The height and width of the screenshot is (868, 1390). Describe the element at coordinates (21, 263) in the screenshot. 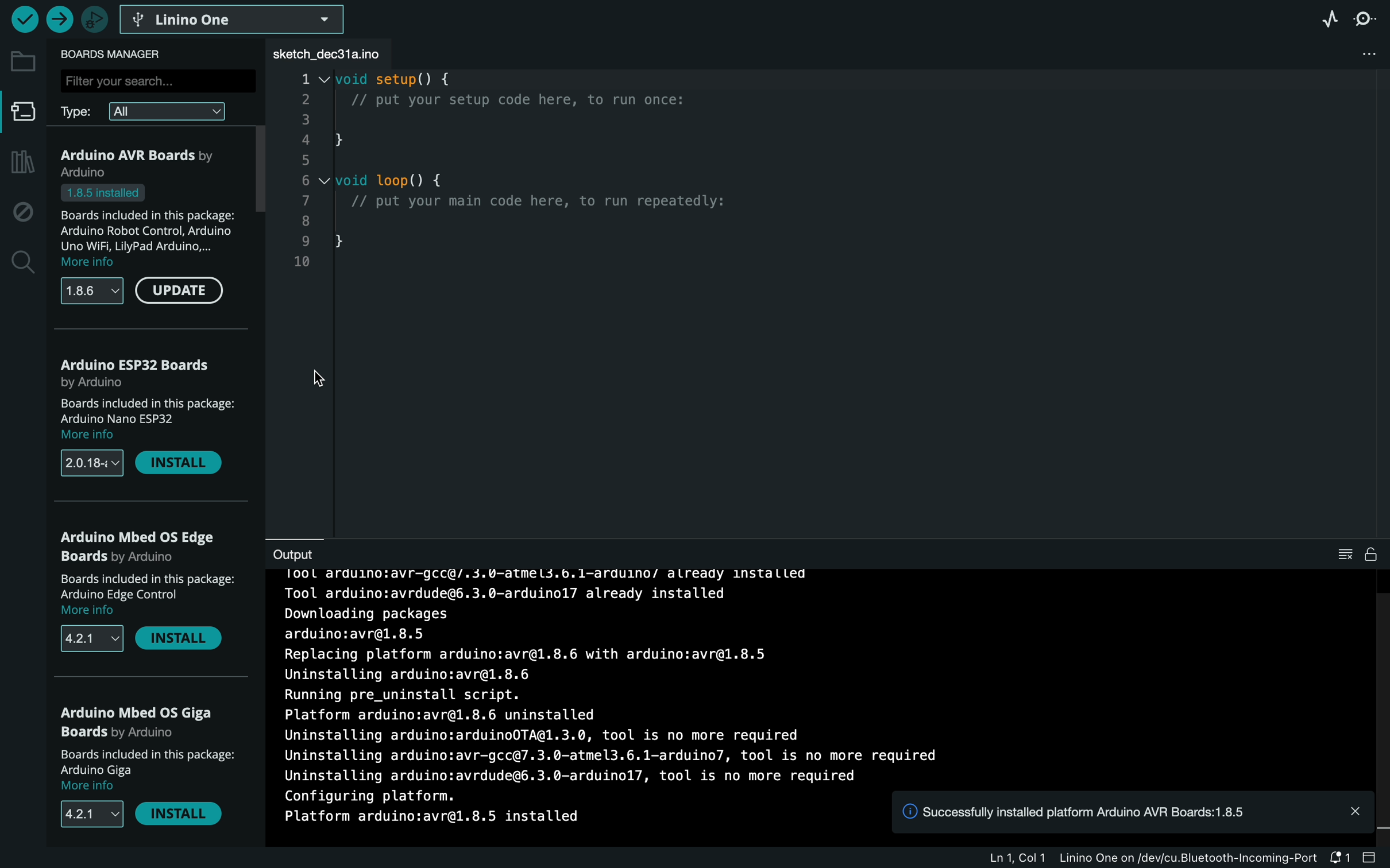

I see `search` at that location.